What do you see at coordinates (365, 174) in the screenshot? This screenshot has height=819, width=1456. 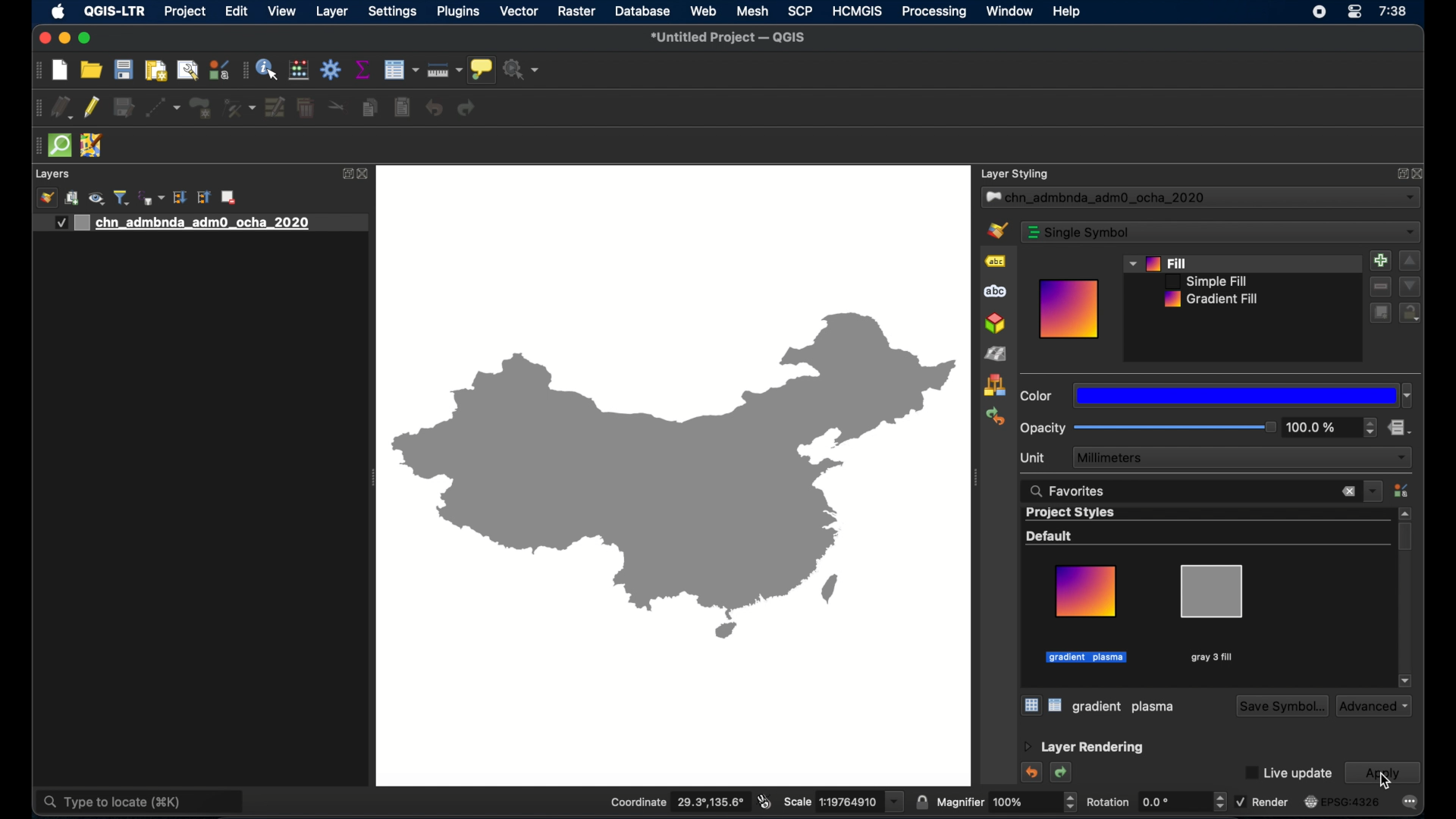 I see `close` at bounding box center [365, 174].